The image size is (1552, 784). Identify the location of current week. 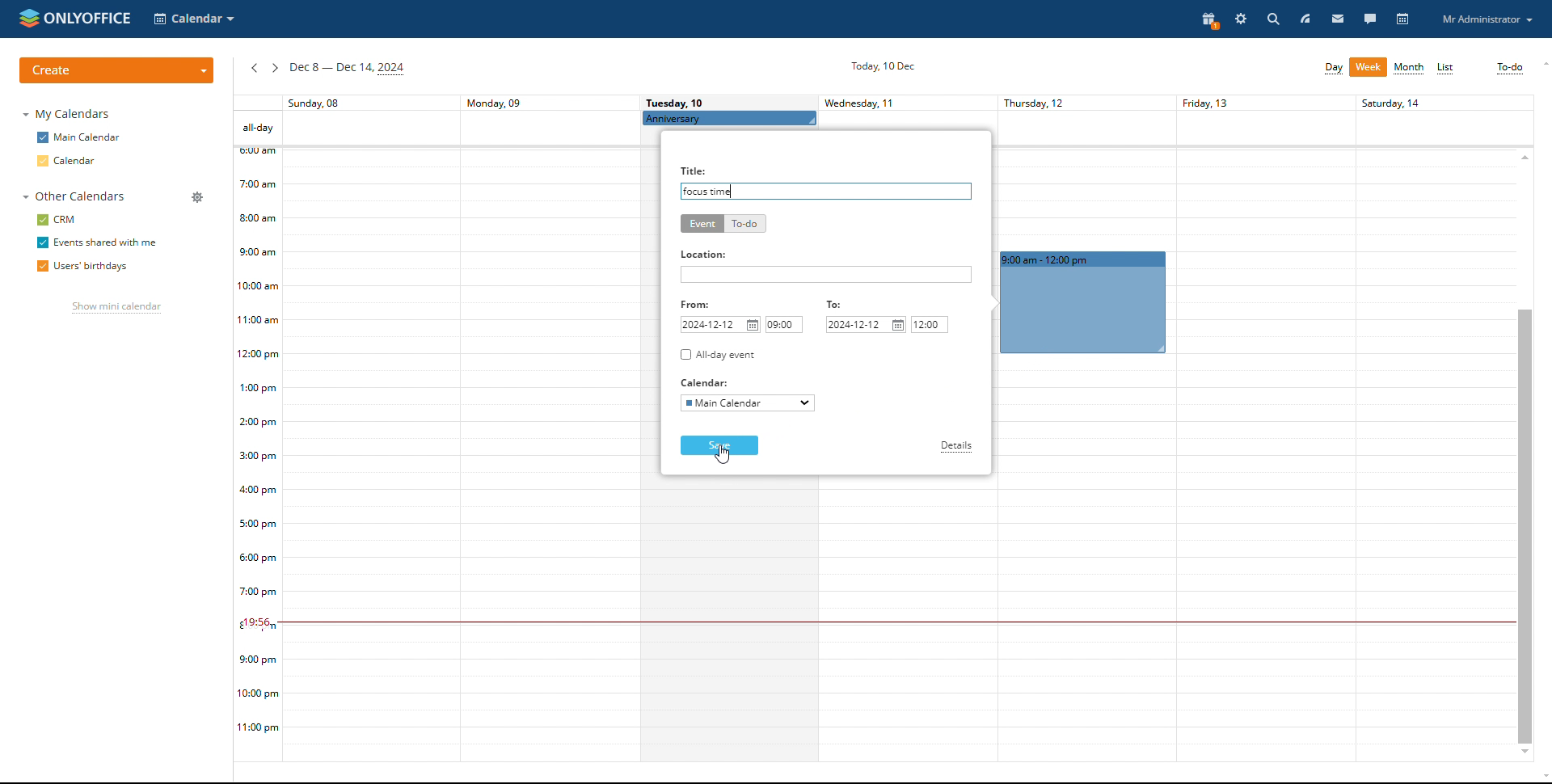
(348, 70).